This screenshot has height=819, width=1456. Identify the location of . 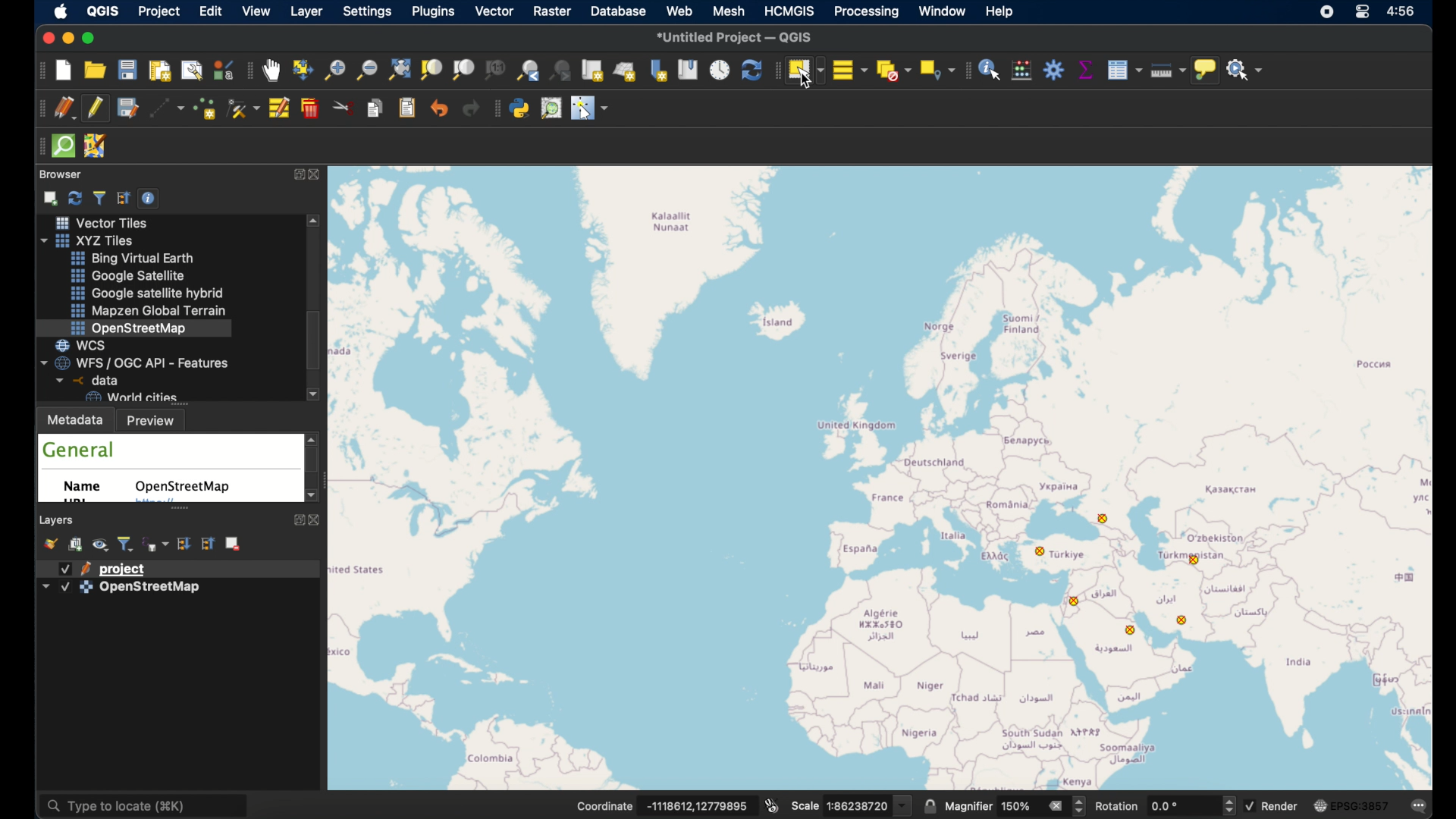
(158, 11).